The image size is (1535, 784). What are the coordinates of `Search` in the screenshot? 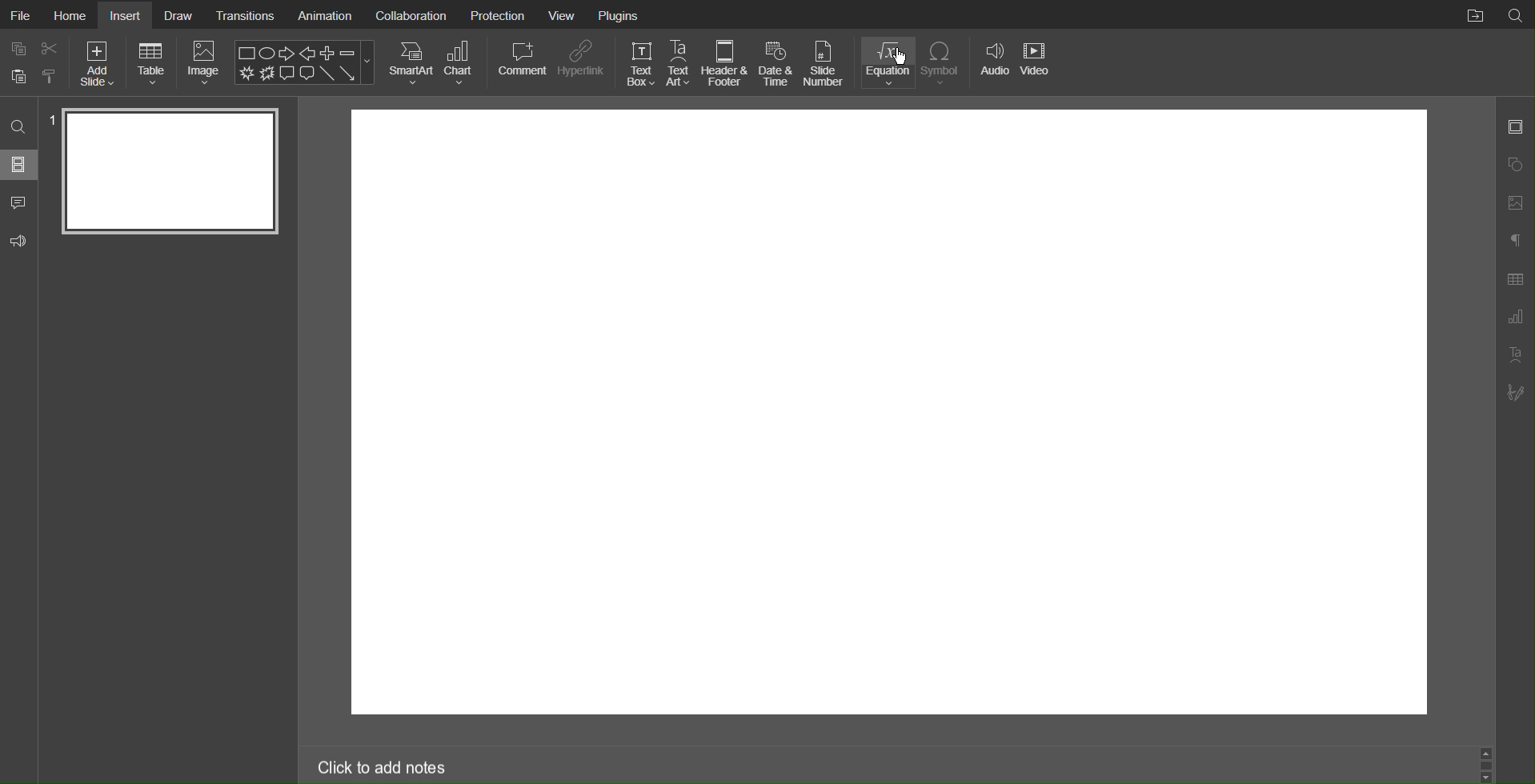 It's located at (19, 128).